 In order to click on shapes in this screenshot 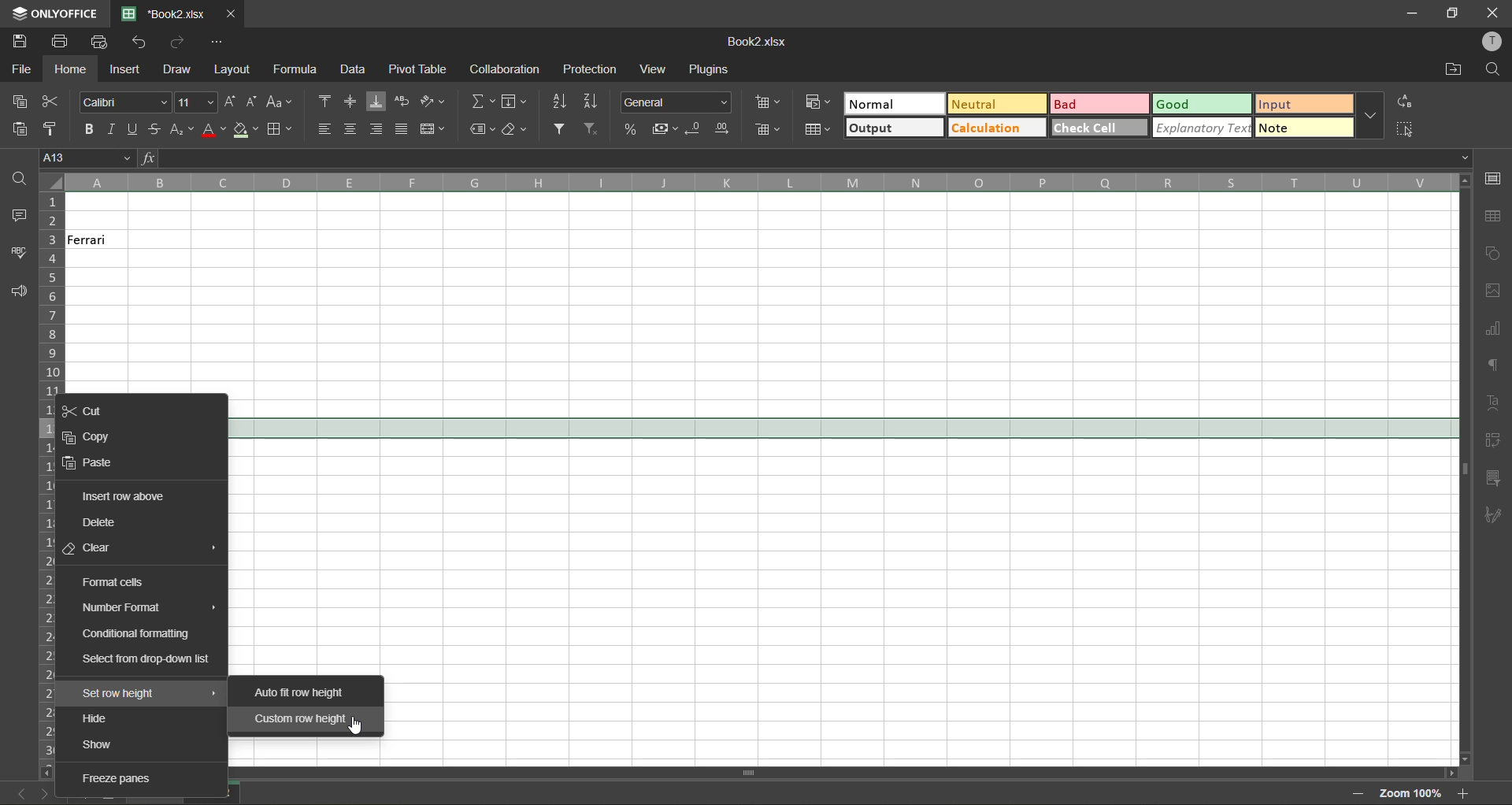, I will do `click(1495, 254)`.